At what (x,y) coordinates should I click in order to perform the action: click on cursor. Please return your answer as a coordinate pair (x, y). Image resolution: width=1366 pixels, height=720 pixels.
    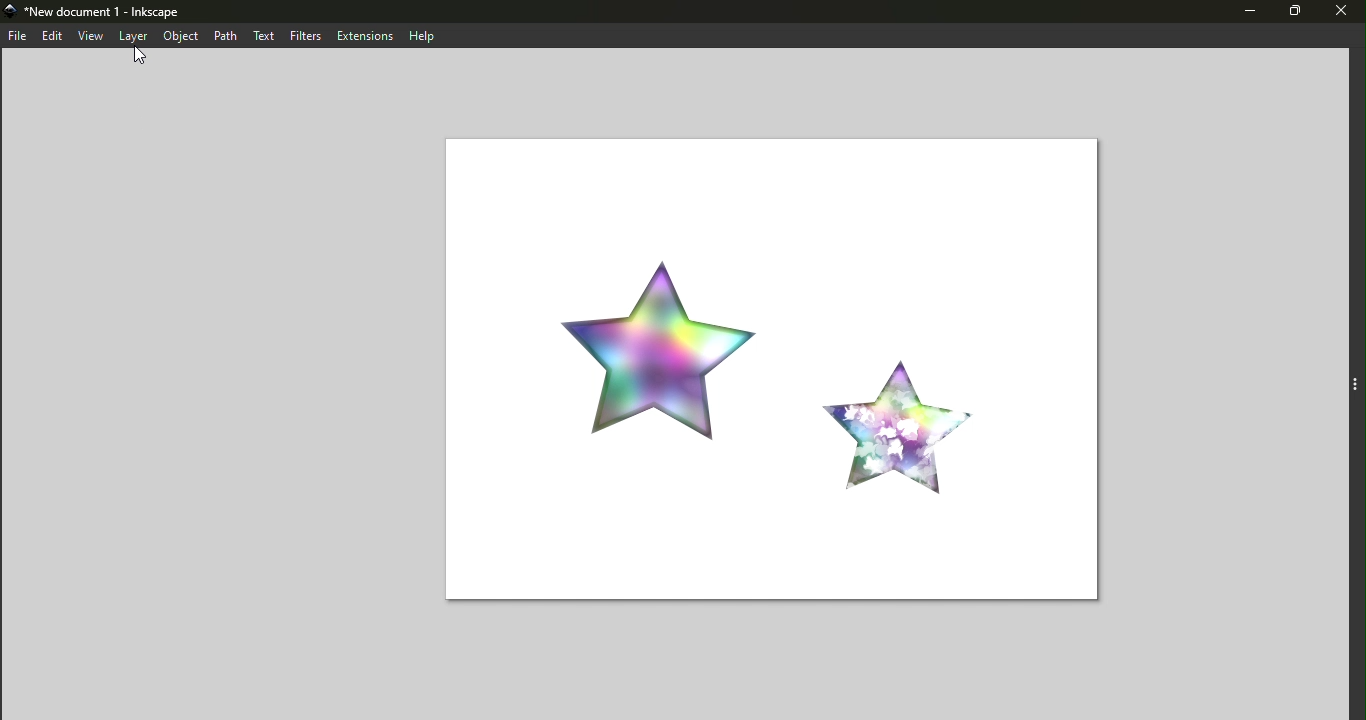
    Looking at the image, I should click on (139, 57).